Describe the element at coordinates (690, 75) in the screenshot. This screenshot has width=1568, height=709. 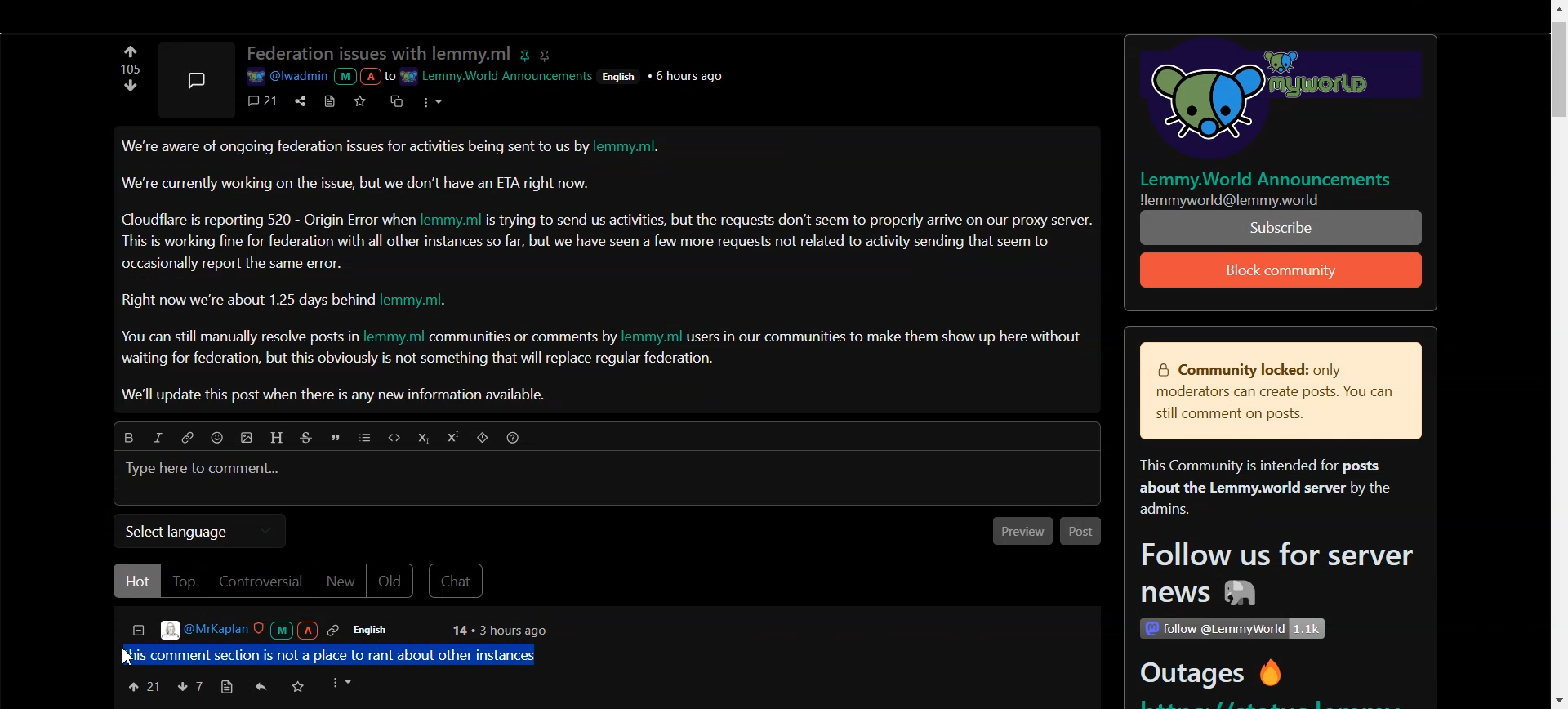
I see `` at that location.